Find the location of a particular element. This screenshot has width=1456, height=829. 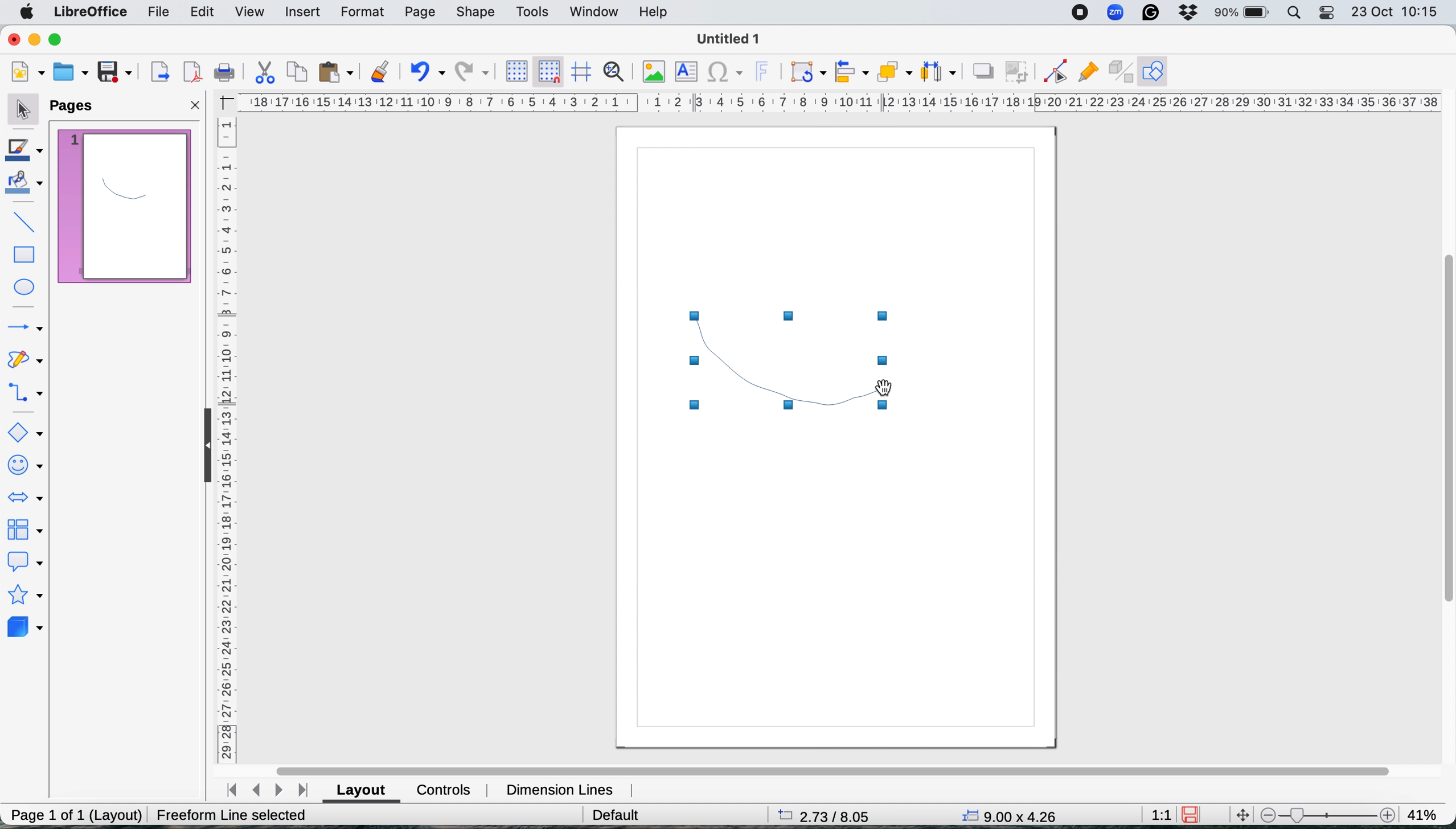

insert is located at coordinates (304, 13).